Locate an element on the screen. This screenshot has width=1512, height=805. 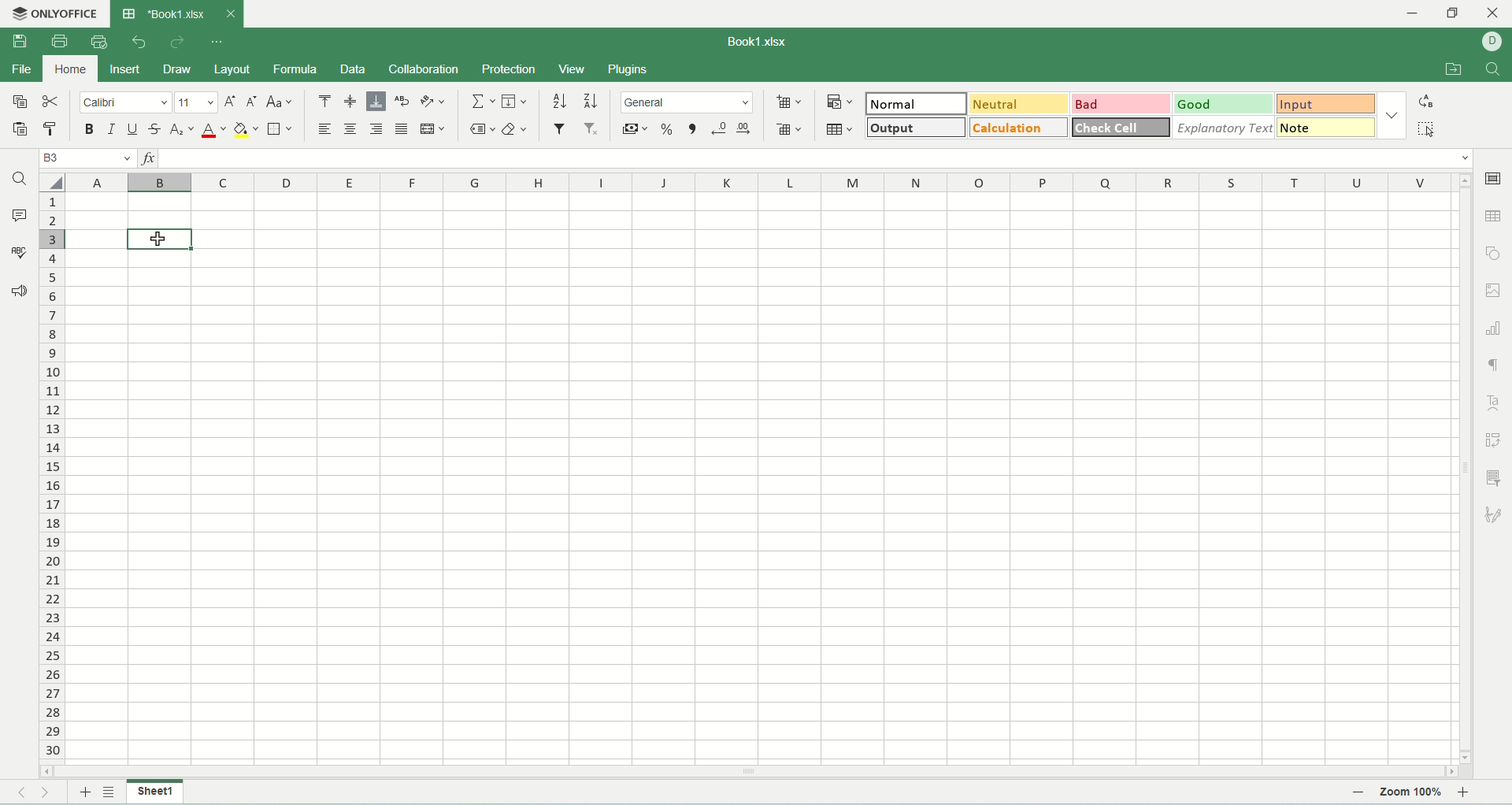
active cell is located at coordinates (162, 240).